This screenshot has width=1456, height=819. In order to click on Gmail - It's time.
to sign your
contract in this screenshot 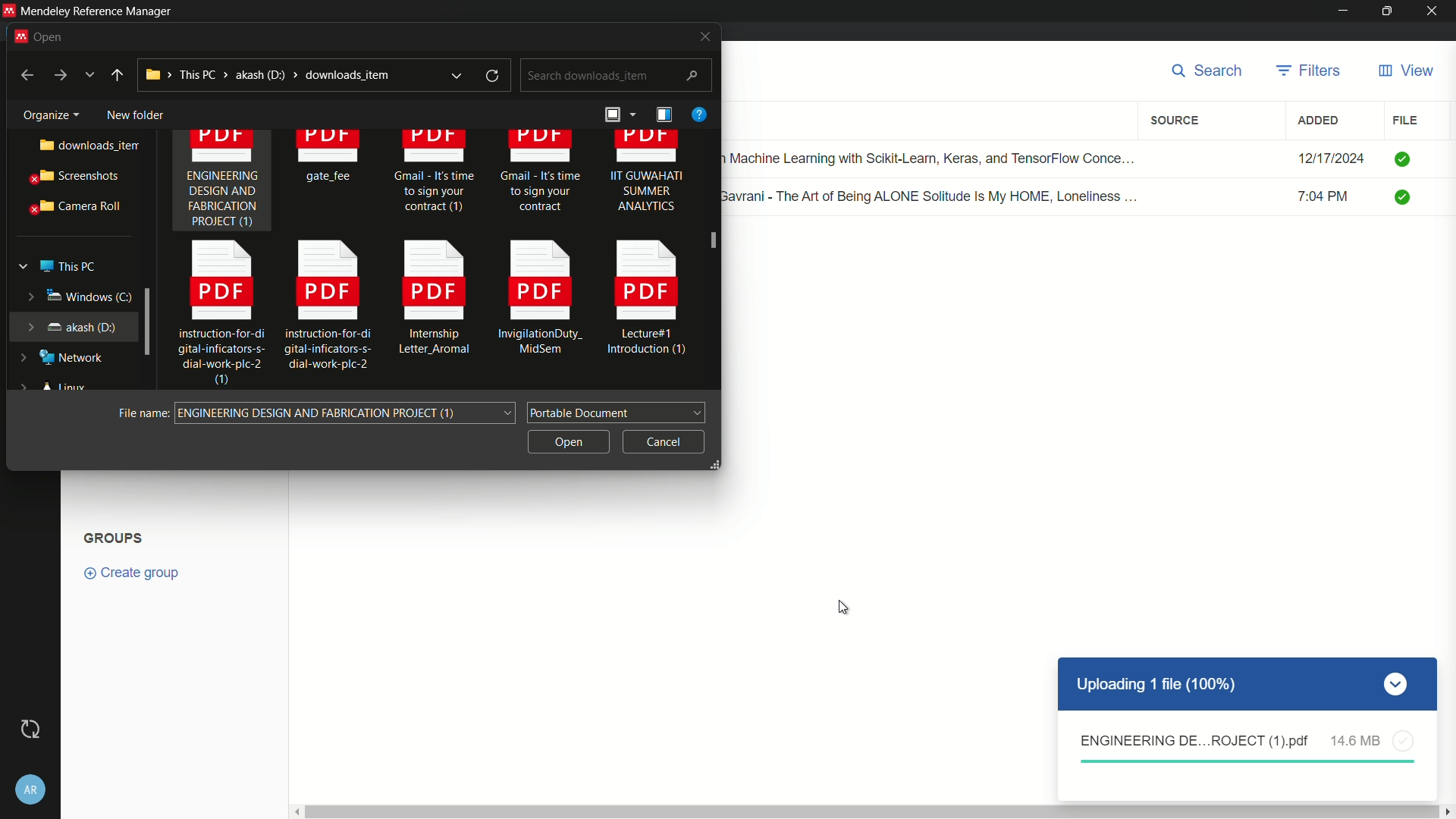, I will do `click(541, 174)`.